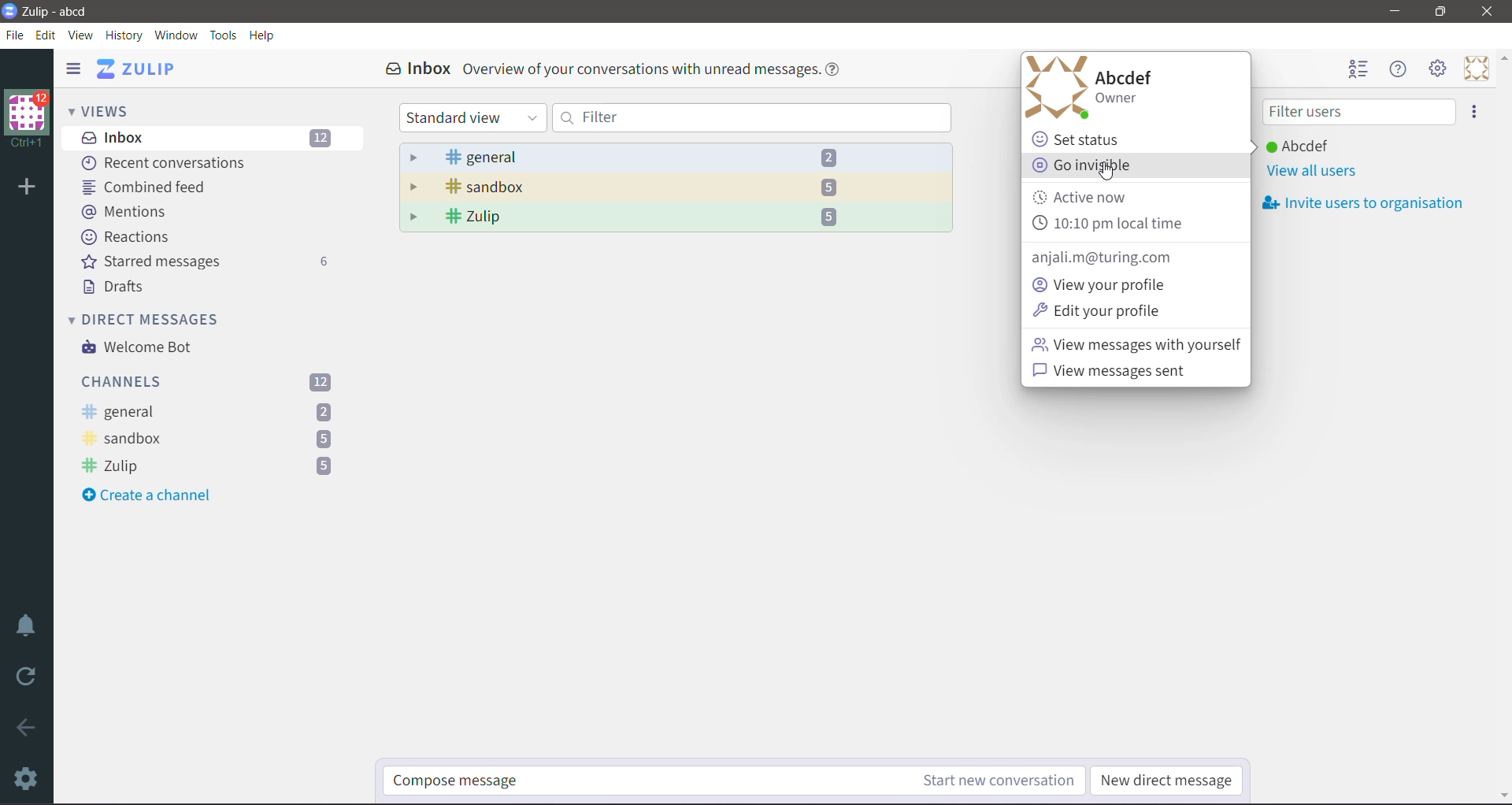  I want to click on Reactions, so click(129, 237).